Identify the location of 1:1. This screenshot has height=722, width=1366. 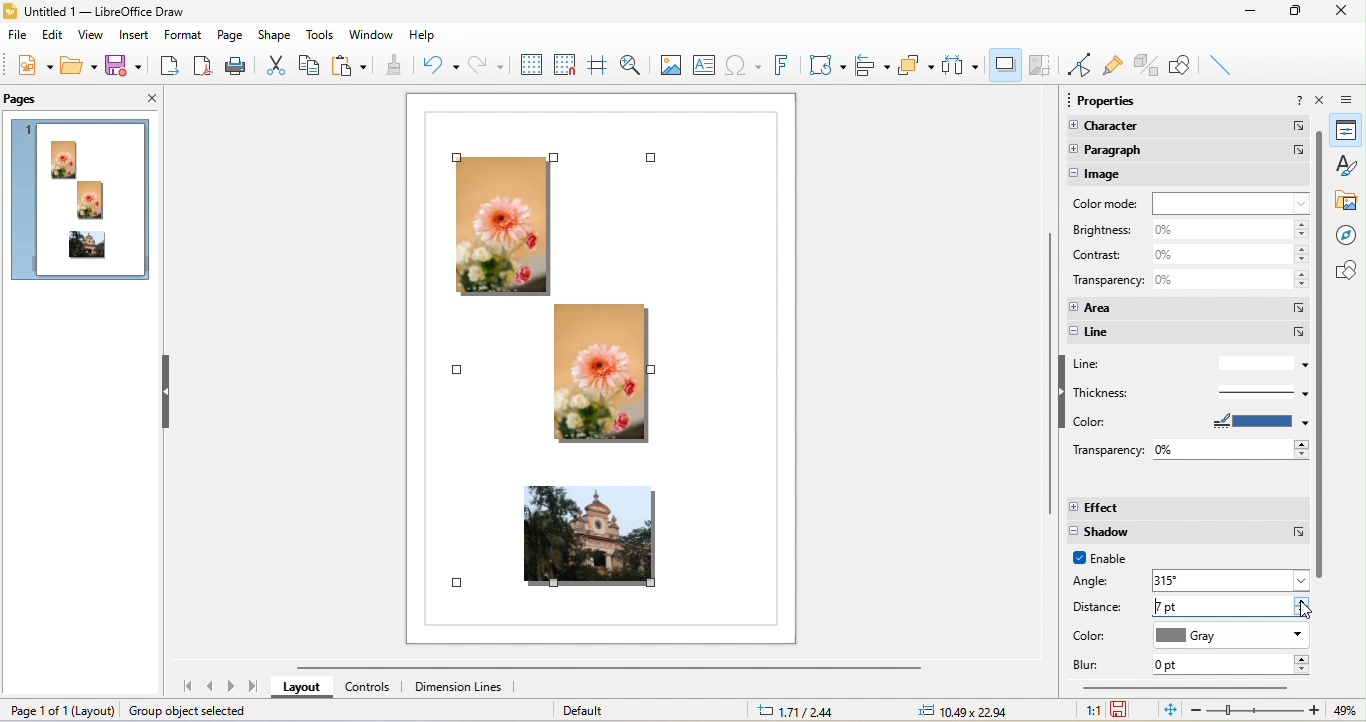
(1086, 710).